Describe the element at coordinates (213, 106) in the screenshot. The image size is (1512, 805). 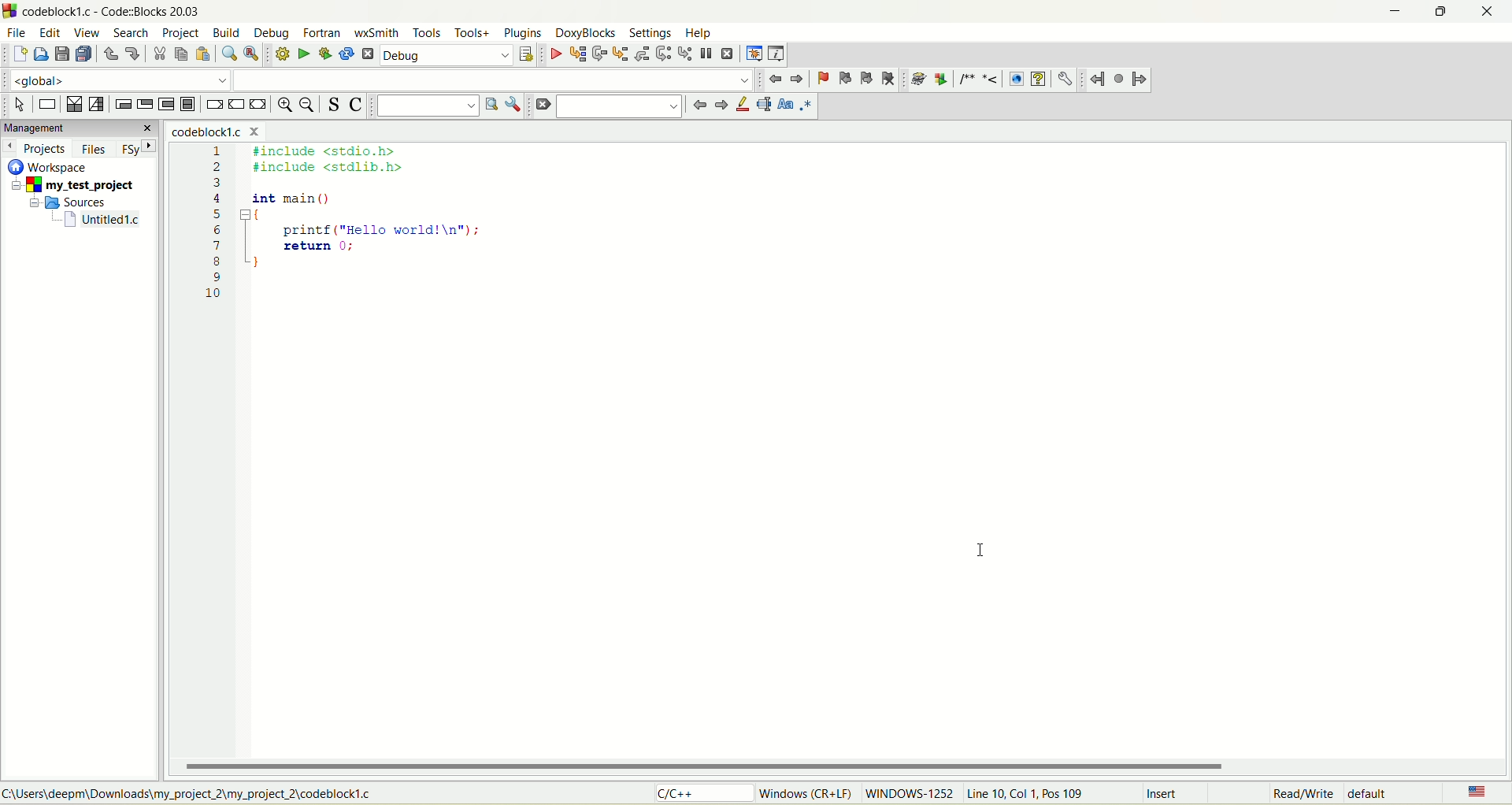
I see `break instruction` at that location.